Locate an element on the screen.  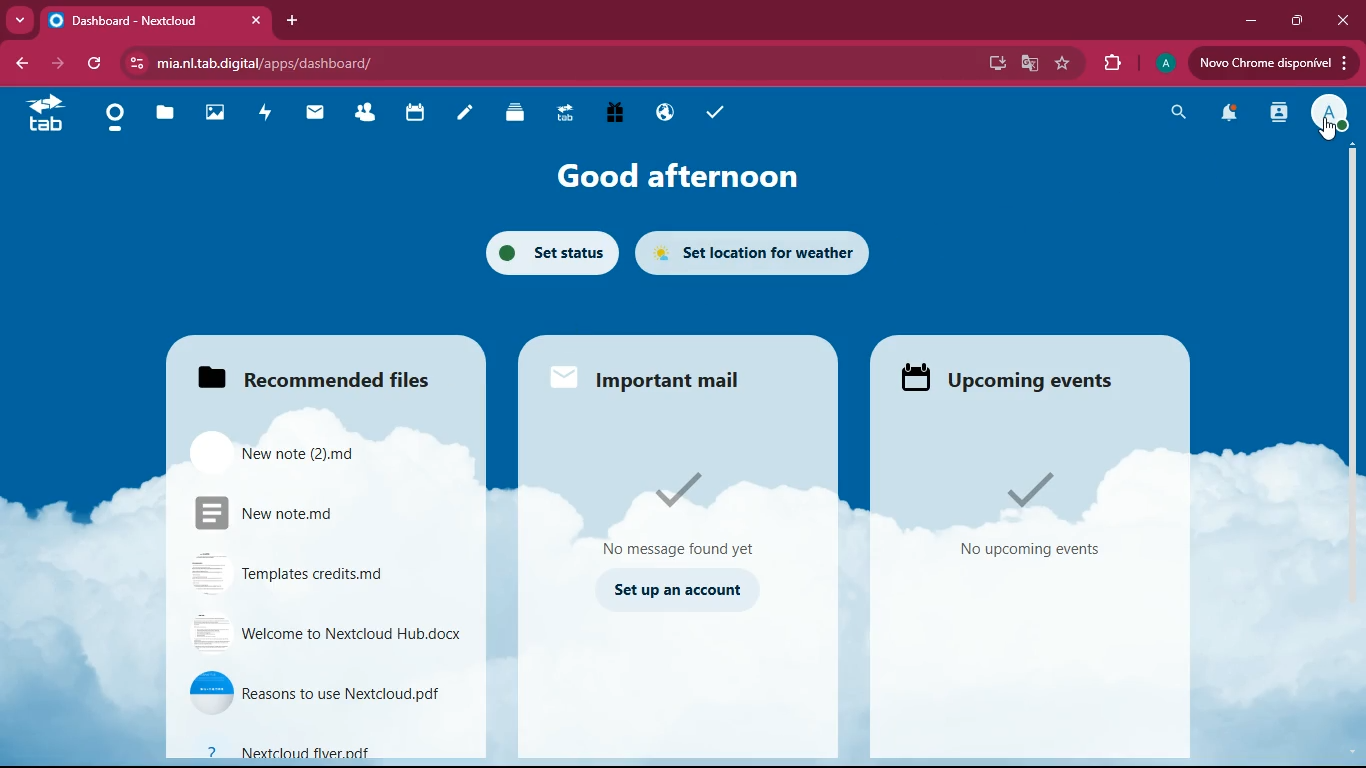
set status is located at coordinates (539, 254).